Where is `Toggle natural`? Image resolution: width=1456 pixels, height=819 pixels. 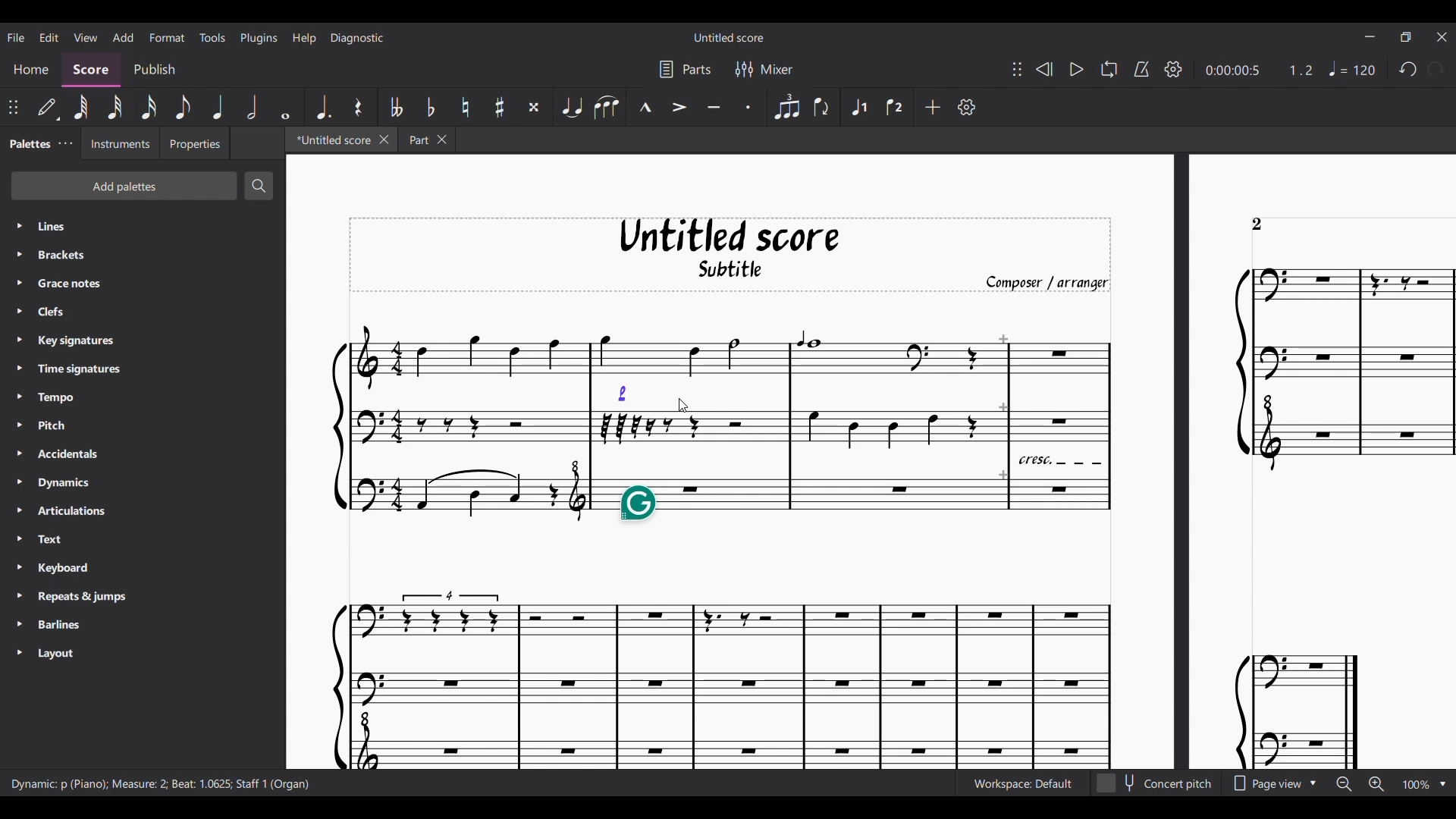 Toggle natural is located at coordinates (466, 107).